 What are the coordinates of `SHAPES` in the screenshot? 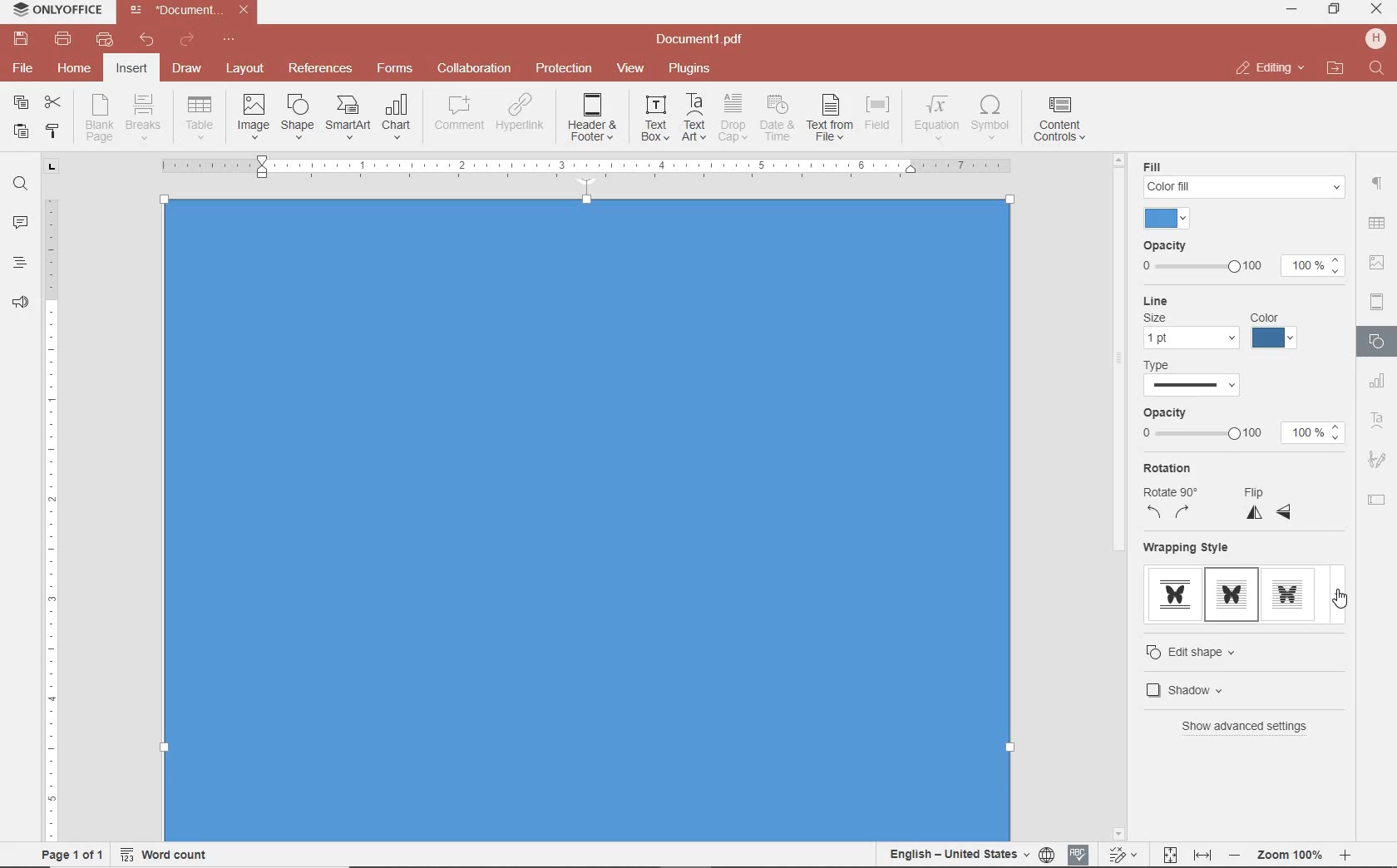 It's located at (1378, 343).